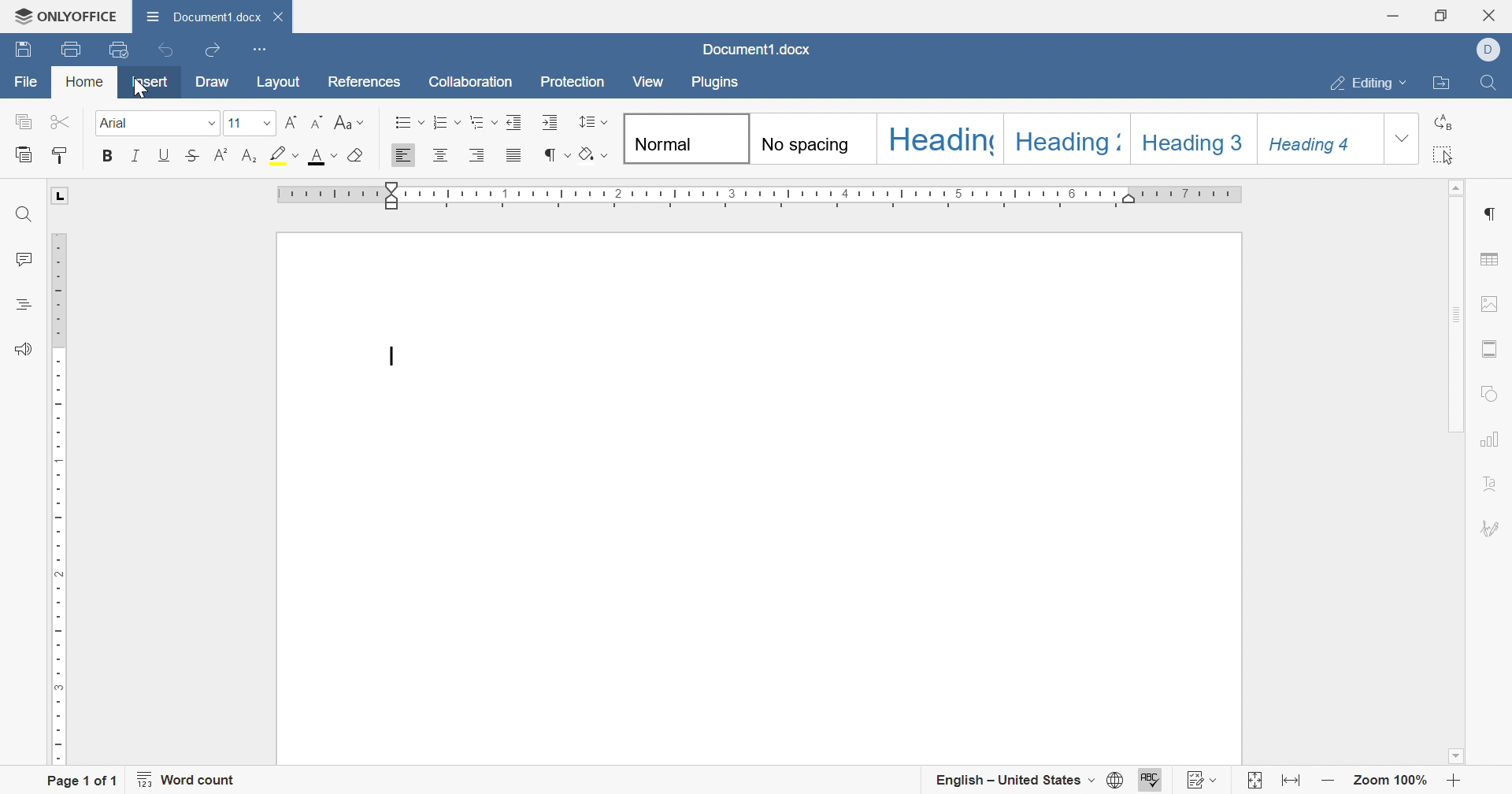 The height and width of the screenshot is (794, 1512). I want to click on Editing, so click(1362, 84).